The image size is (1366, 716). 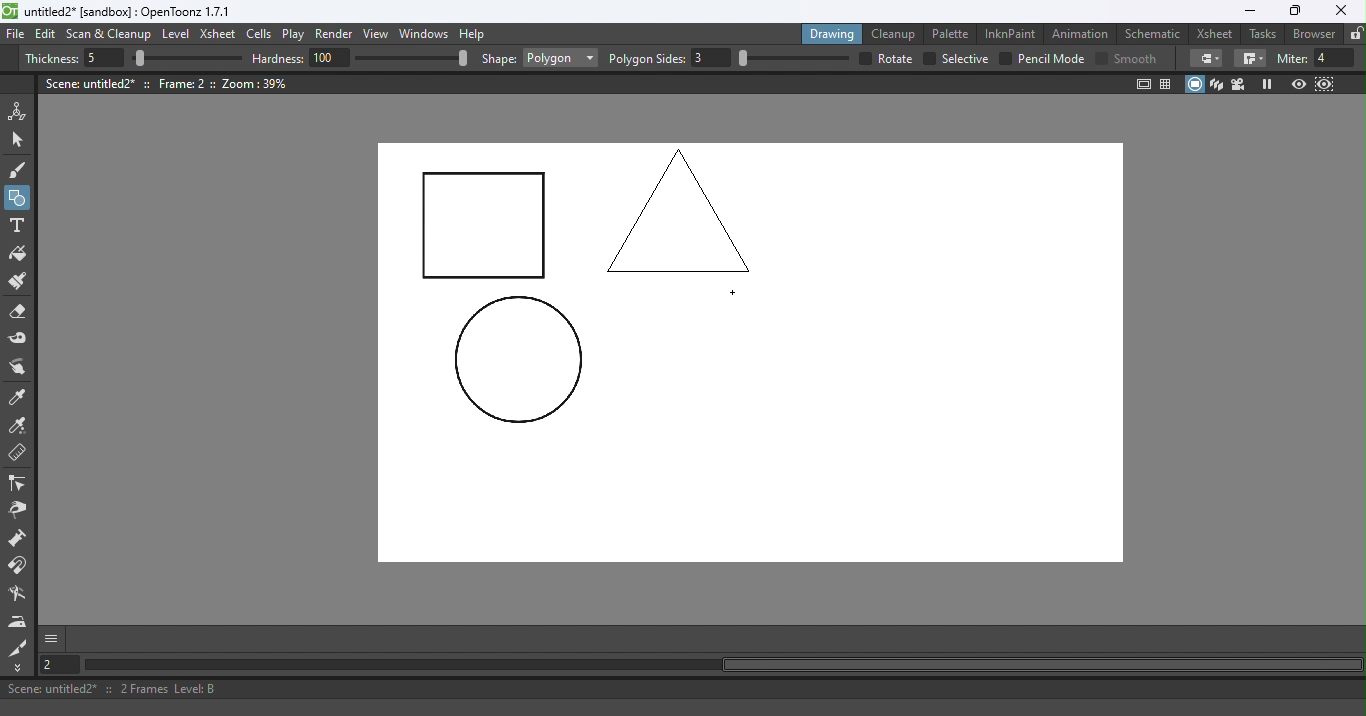 I want to click on checkbox, so click(x=863, y=58).